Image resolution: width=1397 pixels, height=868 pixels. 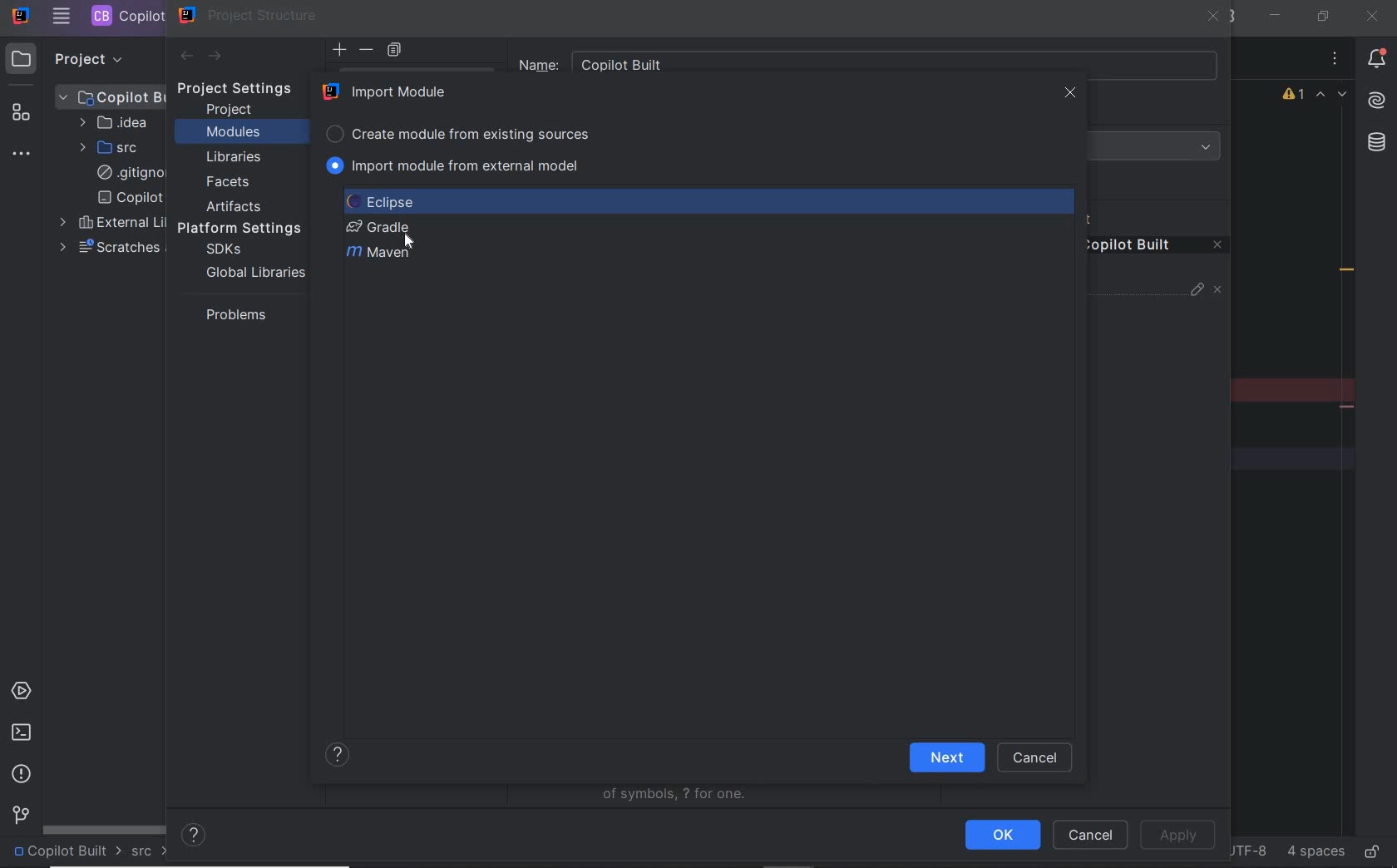 What do you see at coordinates (67, 852) in the screenshot?
I see `project name` at bounding box center [67, 852].